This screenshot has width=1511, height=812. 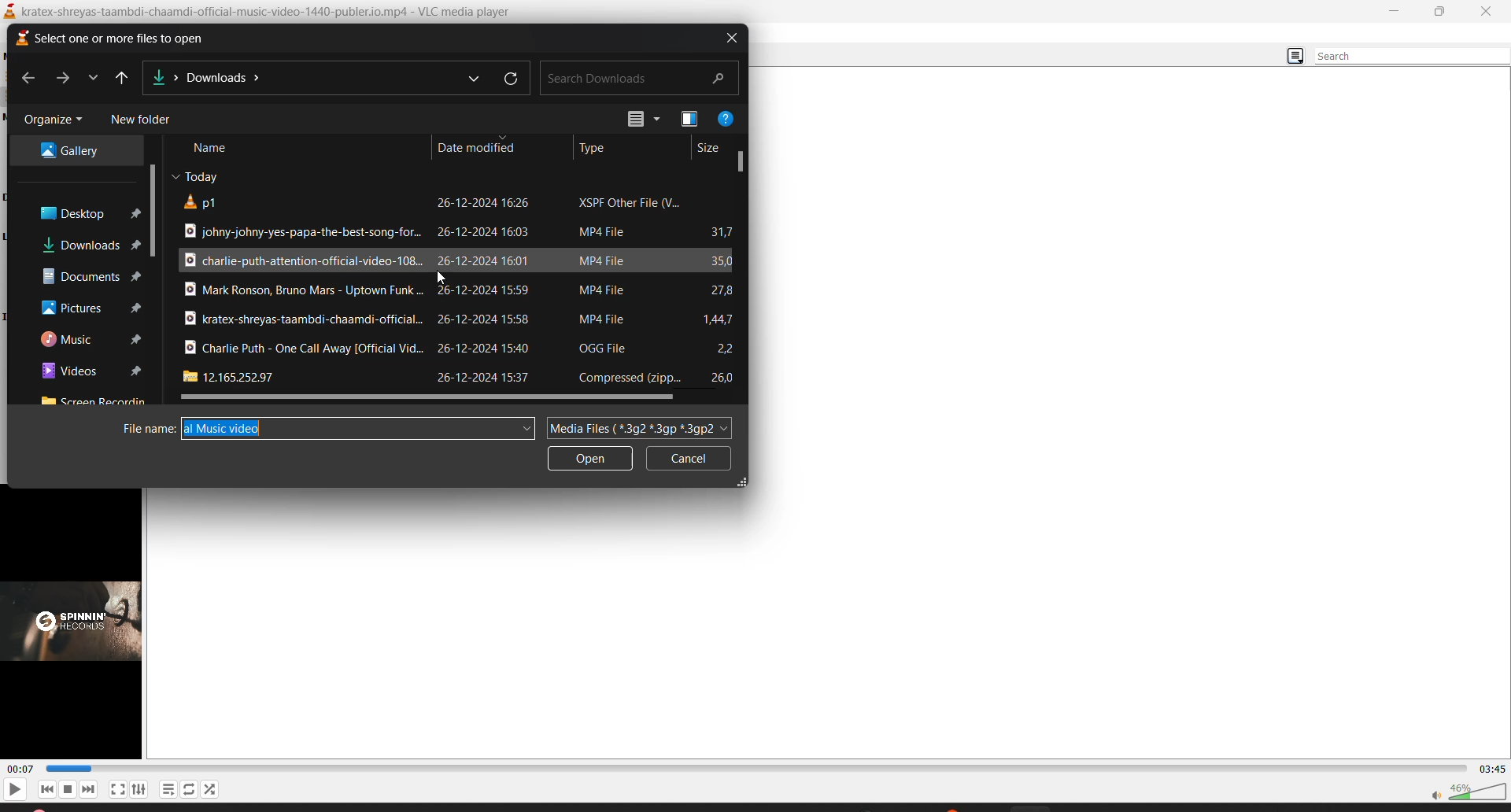 I want to click on open, so click(x=591, y=459).